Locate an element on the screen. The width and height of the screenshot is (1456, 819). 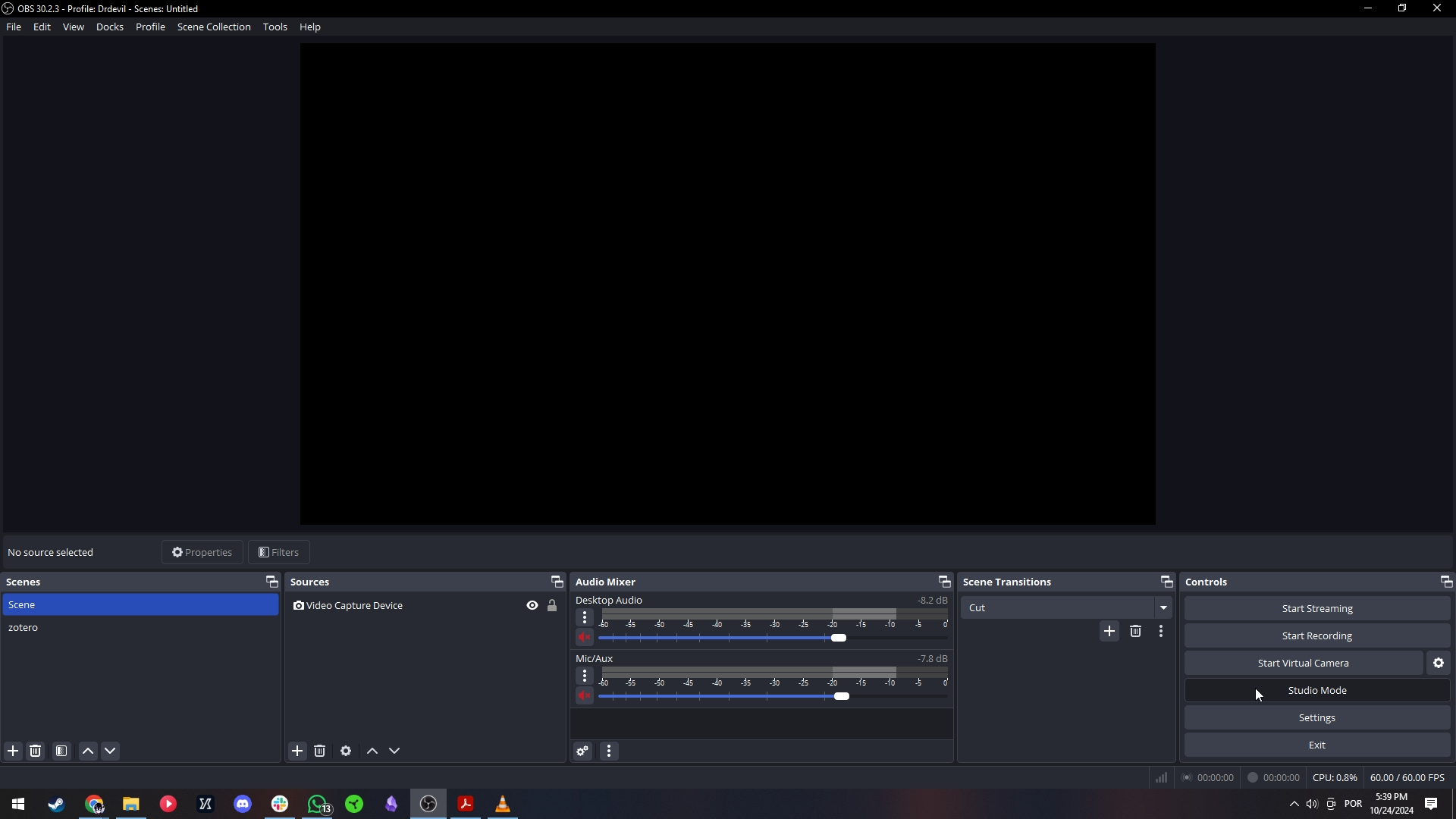
Disconnect scenes window is located at coordinates (271, 582).